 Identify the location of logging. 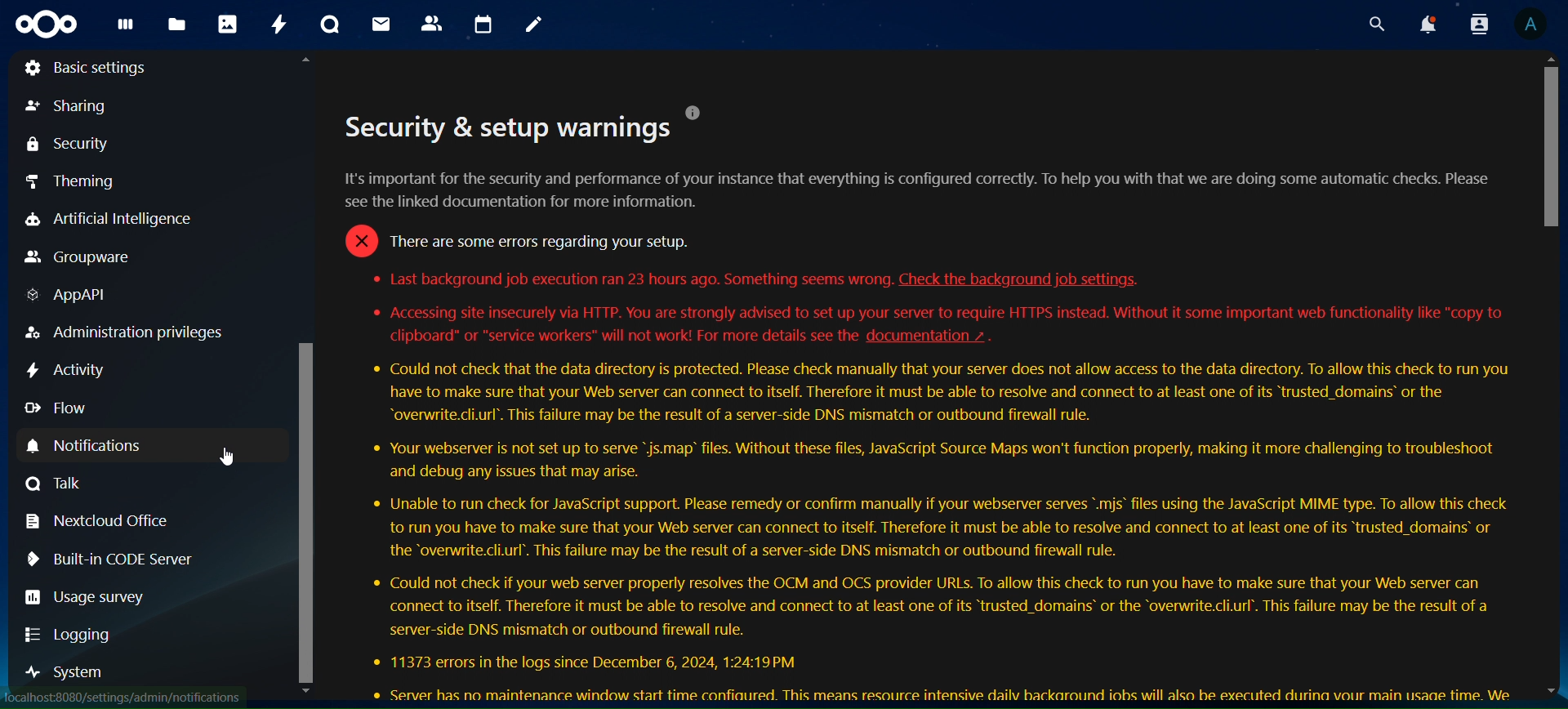
(63, 634).